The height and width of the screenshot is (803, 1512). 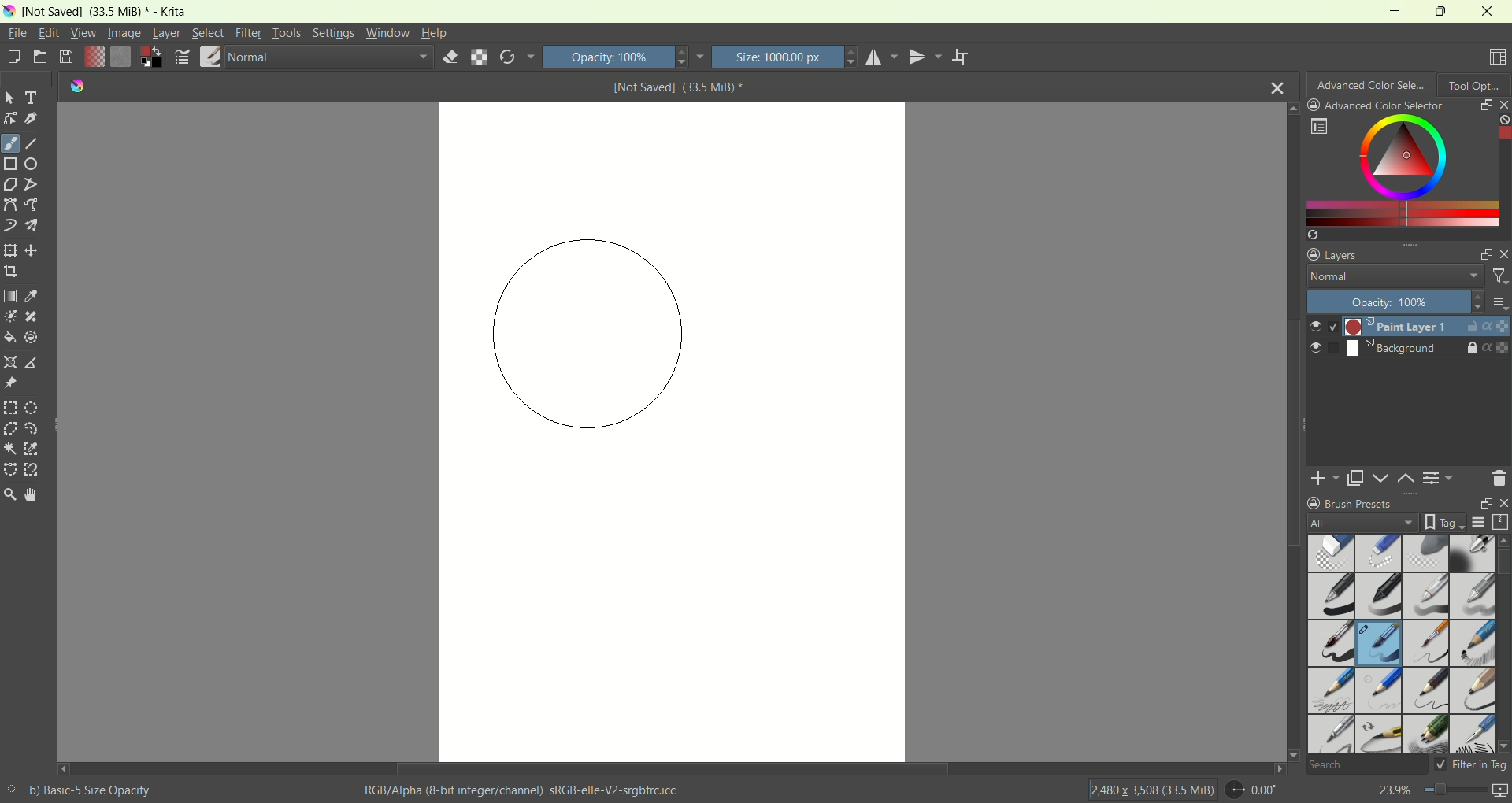 What do you see at coordinates (48, 32) in the screenshot?
I see `edit` at bounding box center [48, 32].